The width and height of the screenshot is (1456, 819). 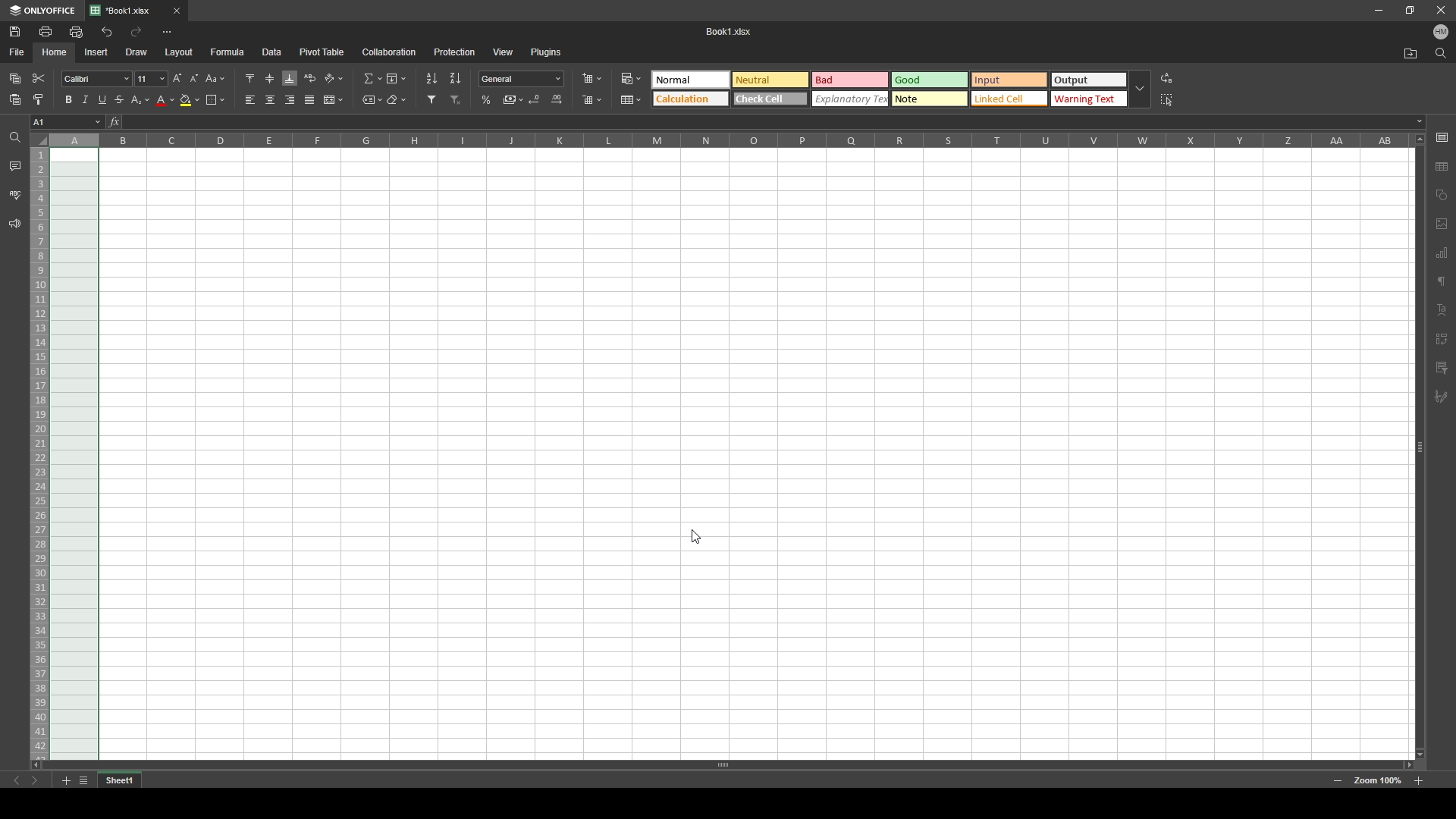 I want to click on chosen cell, so click(x=66, y=121).